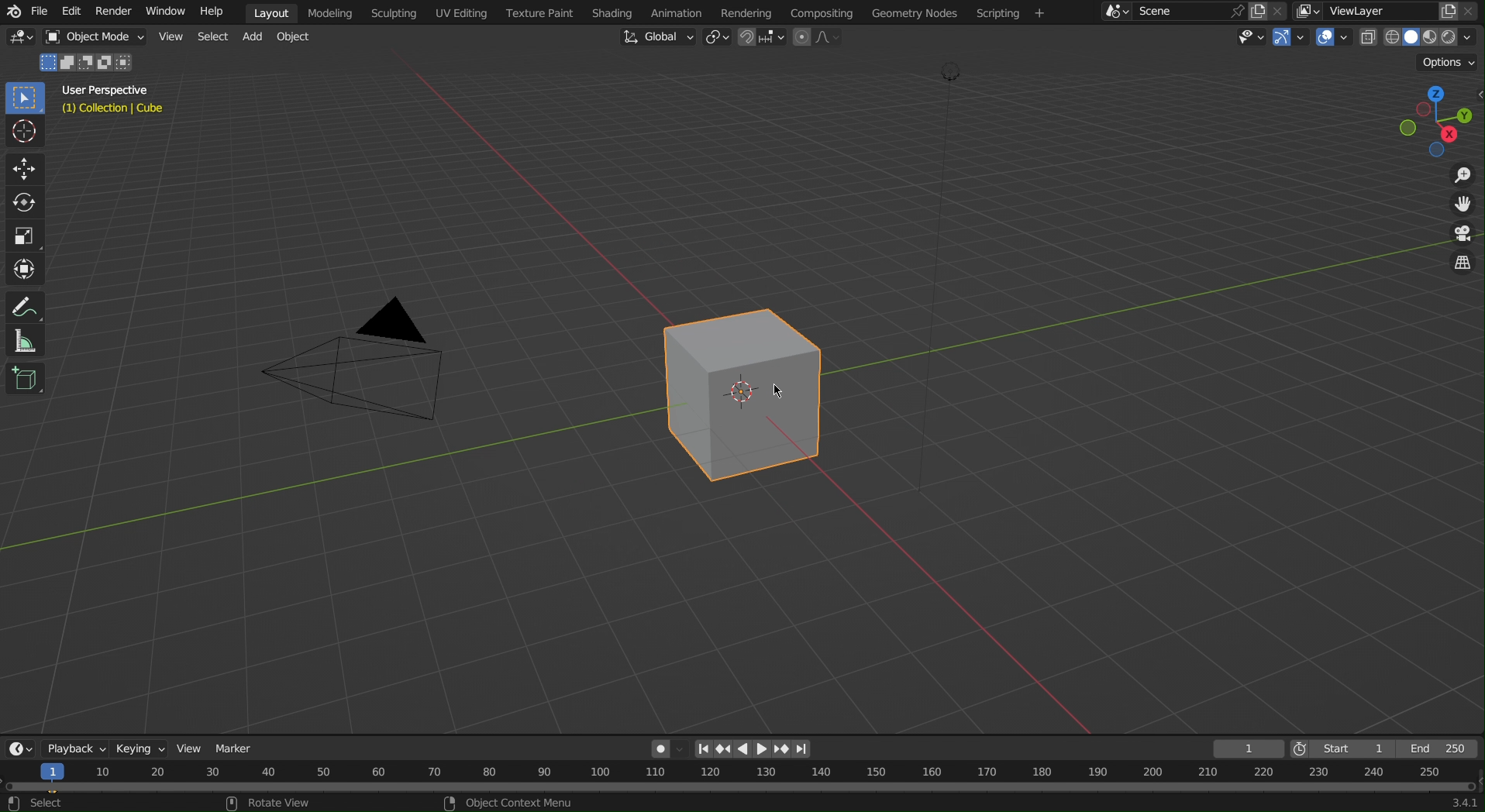 The image size is (1485, 812). What do you see at coordinates (1474, 12) in the screenshot?
I see `Close` at bounding box center [1474, 12].